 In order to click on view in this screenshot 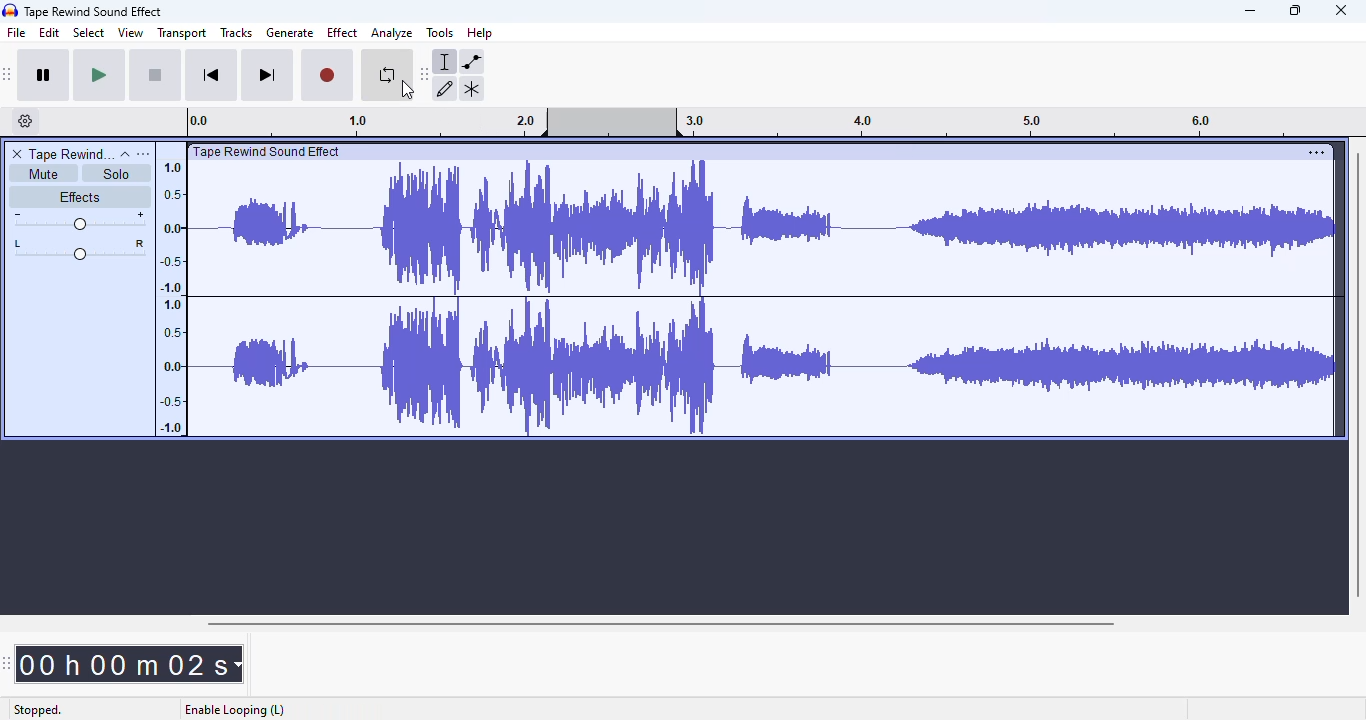, I will do `click(131, 33)`.